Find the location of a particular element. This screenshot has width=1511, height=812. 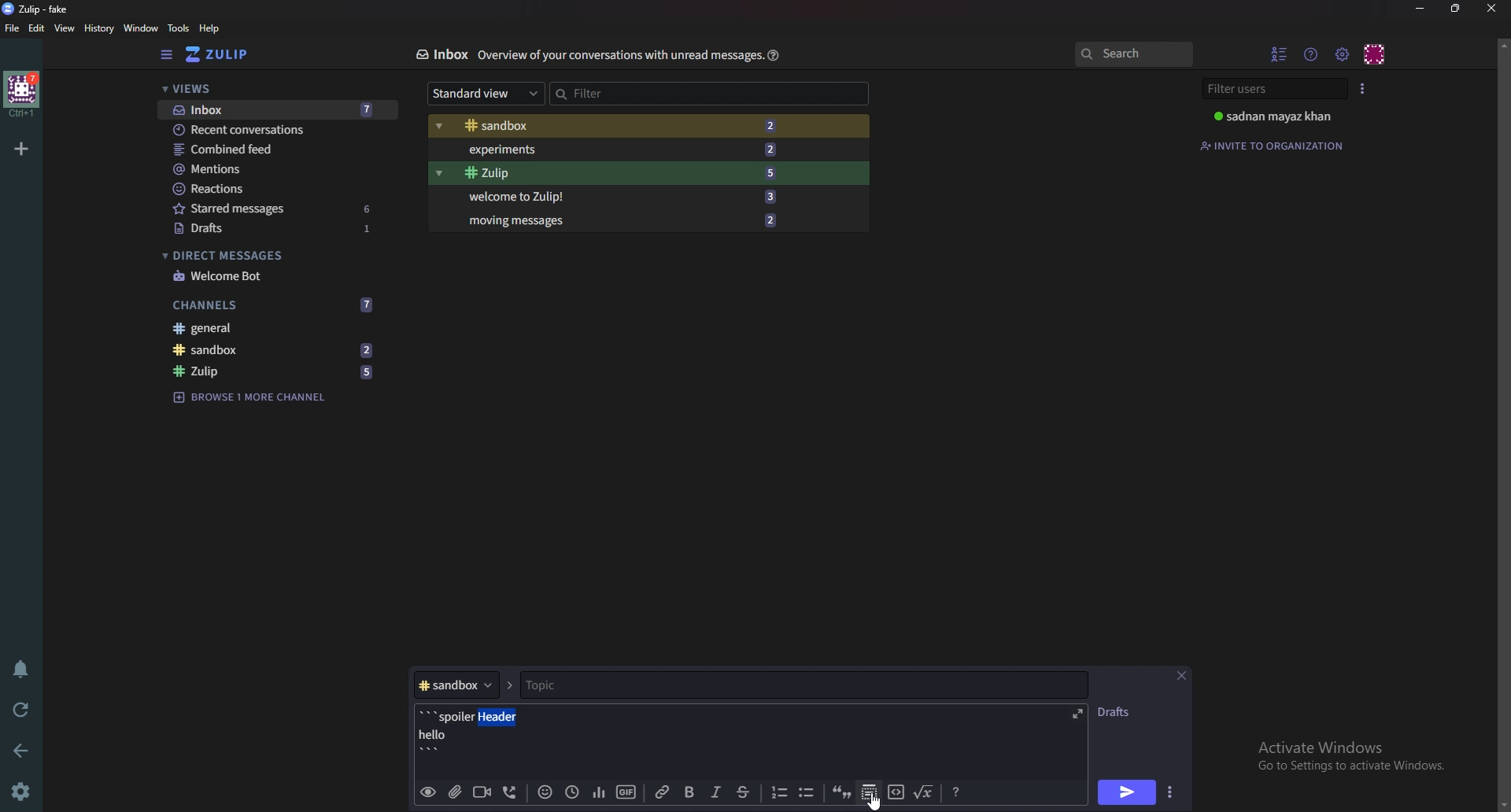

quote is located at coordinates (842, 793).